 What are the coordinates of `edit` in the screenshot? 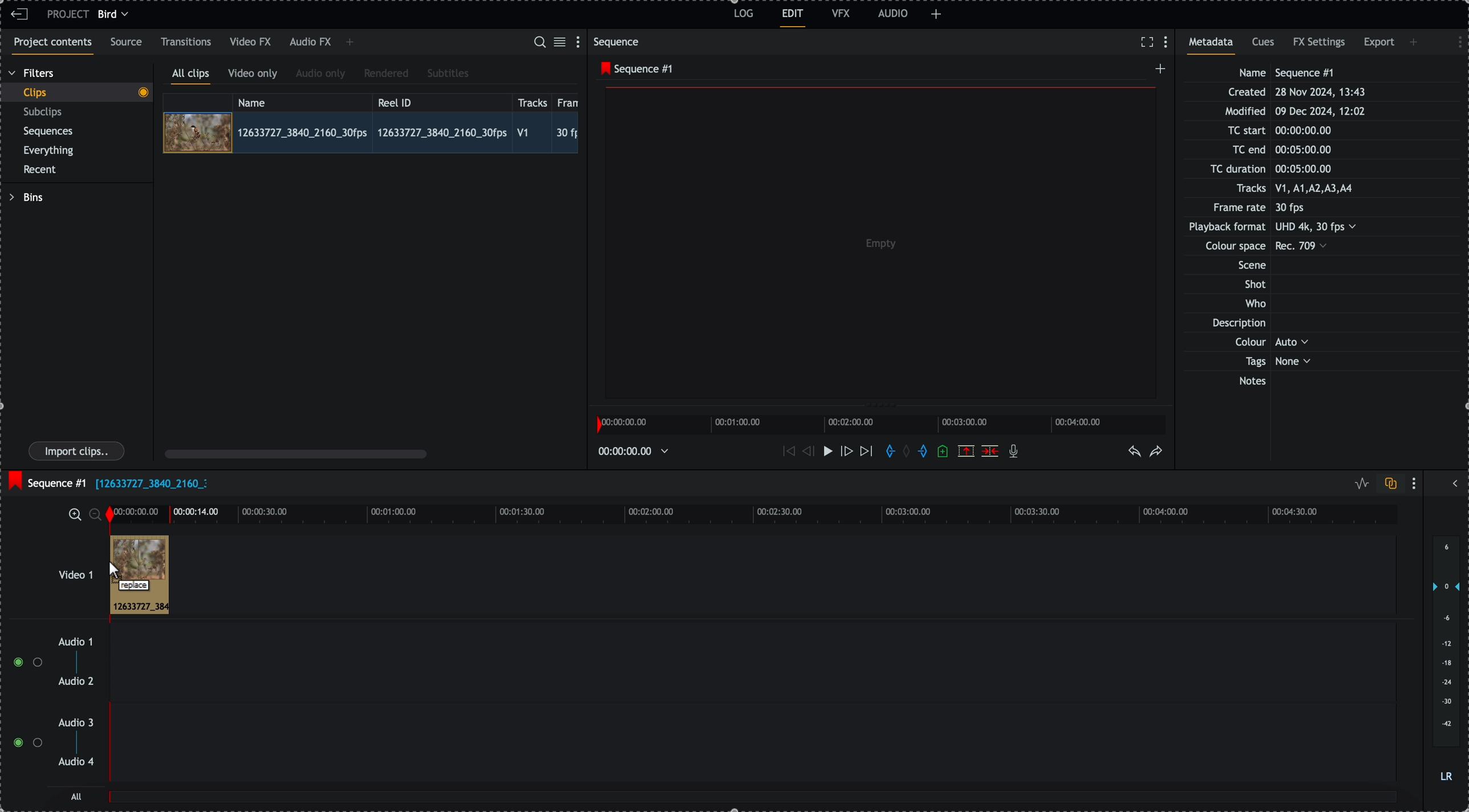 It's located at (793, 18).